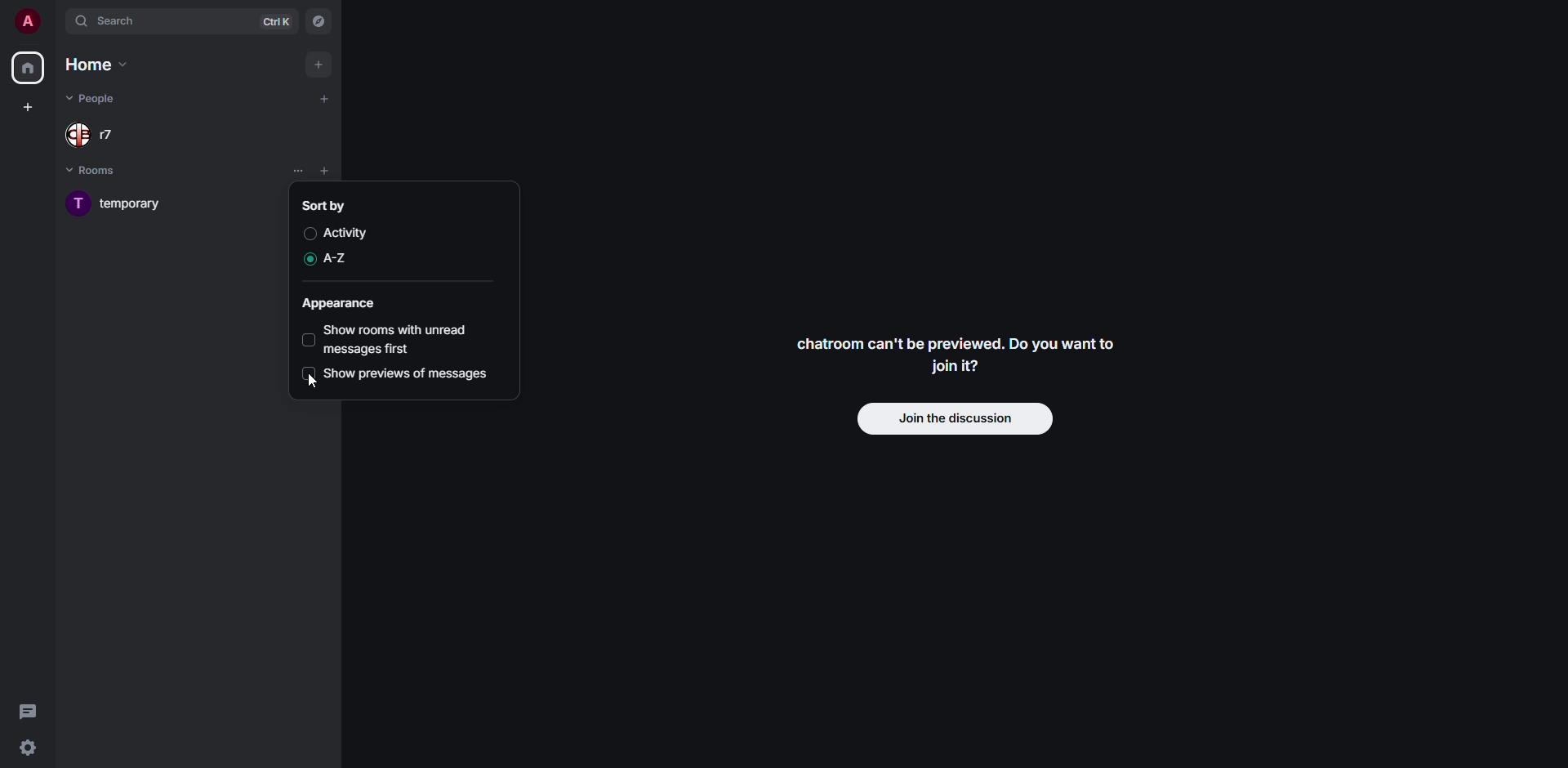 This screenshot has height=768, width=1568. I want to click on list options, so click(348, 171).